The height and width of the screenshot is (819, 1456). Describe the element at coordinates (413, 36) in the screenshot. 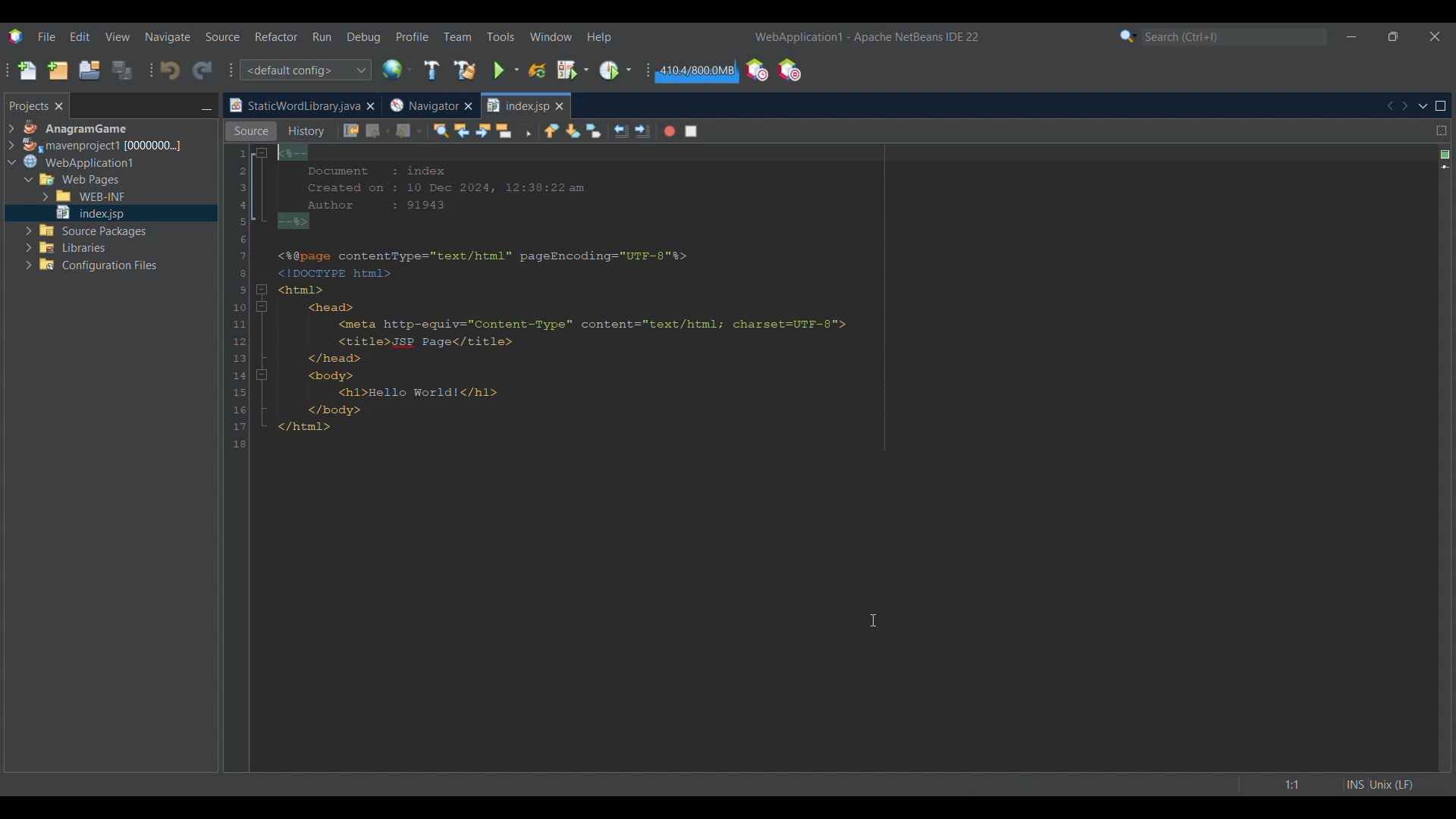

I see `Profile menu` at that location.